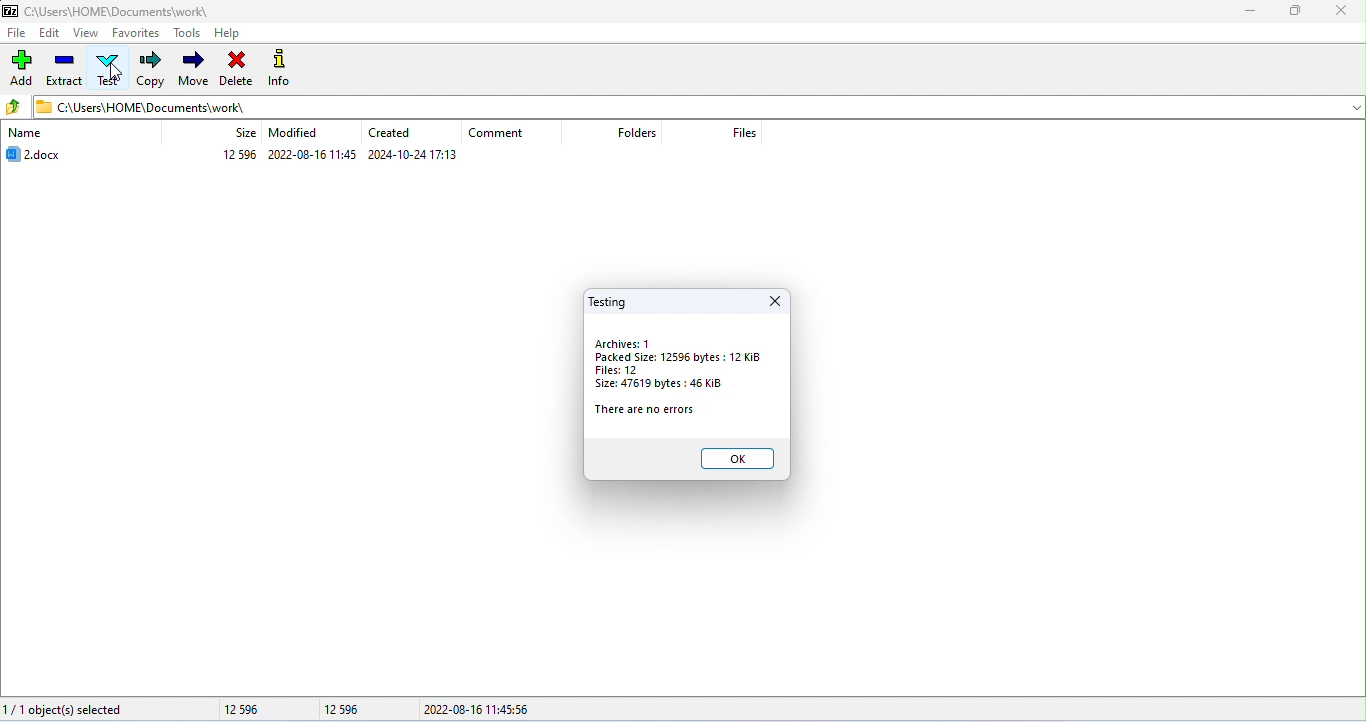 The height and width of the screenshot is (722, 1366). I want to click on 12596, so click(259, 710).